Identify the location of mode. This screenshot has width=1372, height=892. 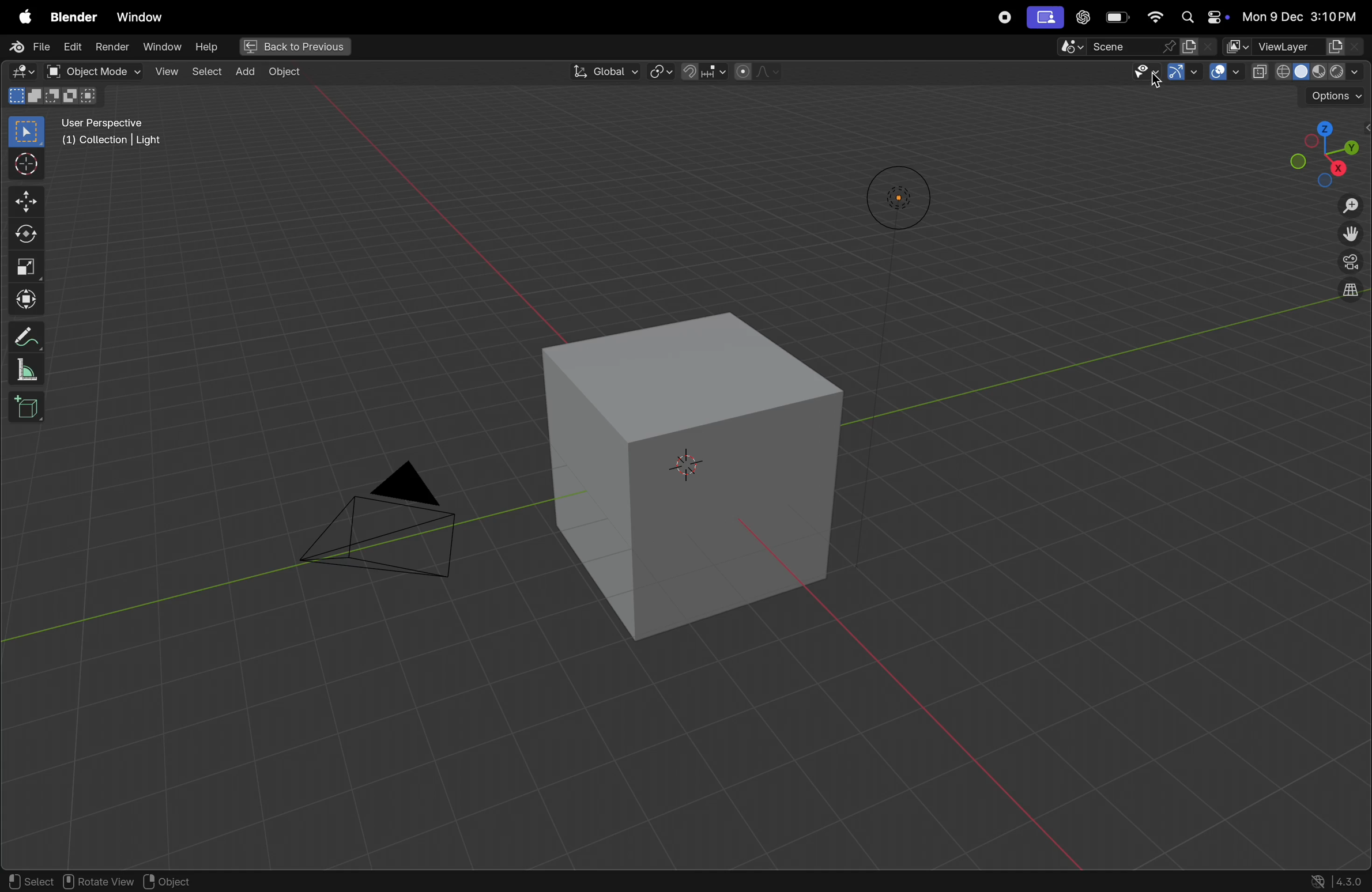
(54, 96).